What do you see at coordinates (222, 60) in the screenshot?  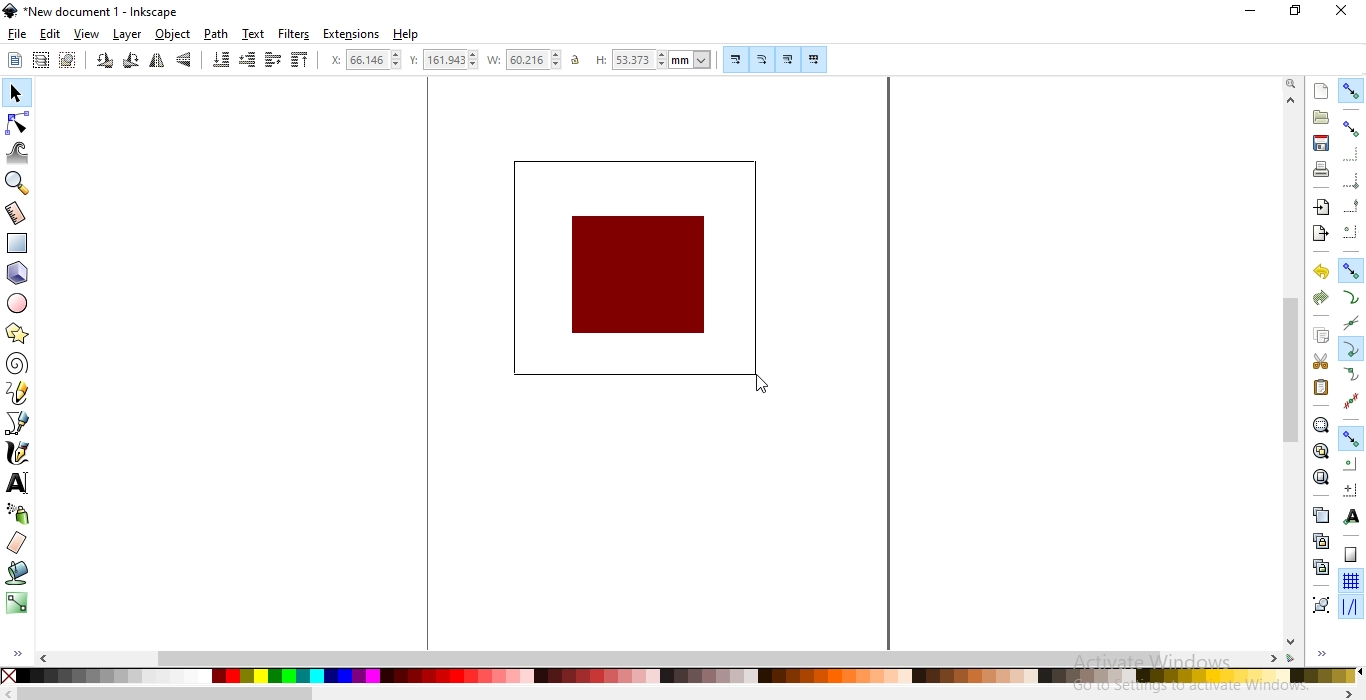 I see `lower selection to bottom` at bounding box center [222, 60].